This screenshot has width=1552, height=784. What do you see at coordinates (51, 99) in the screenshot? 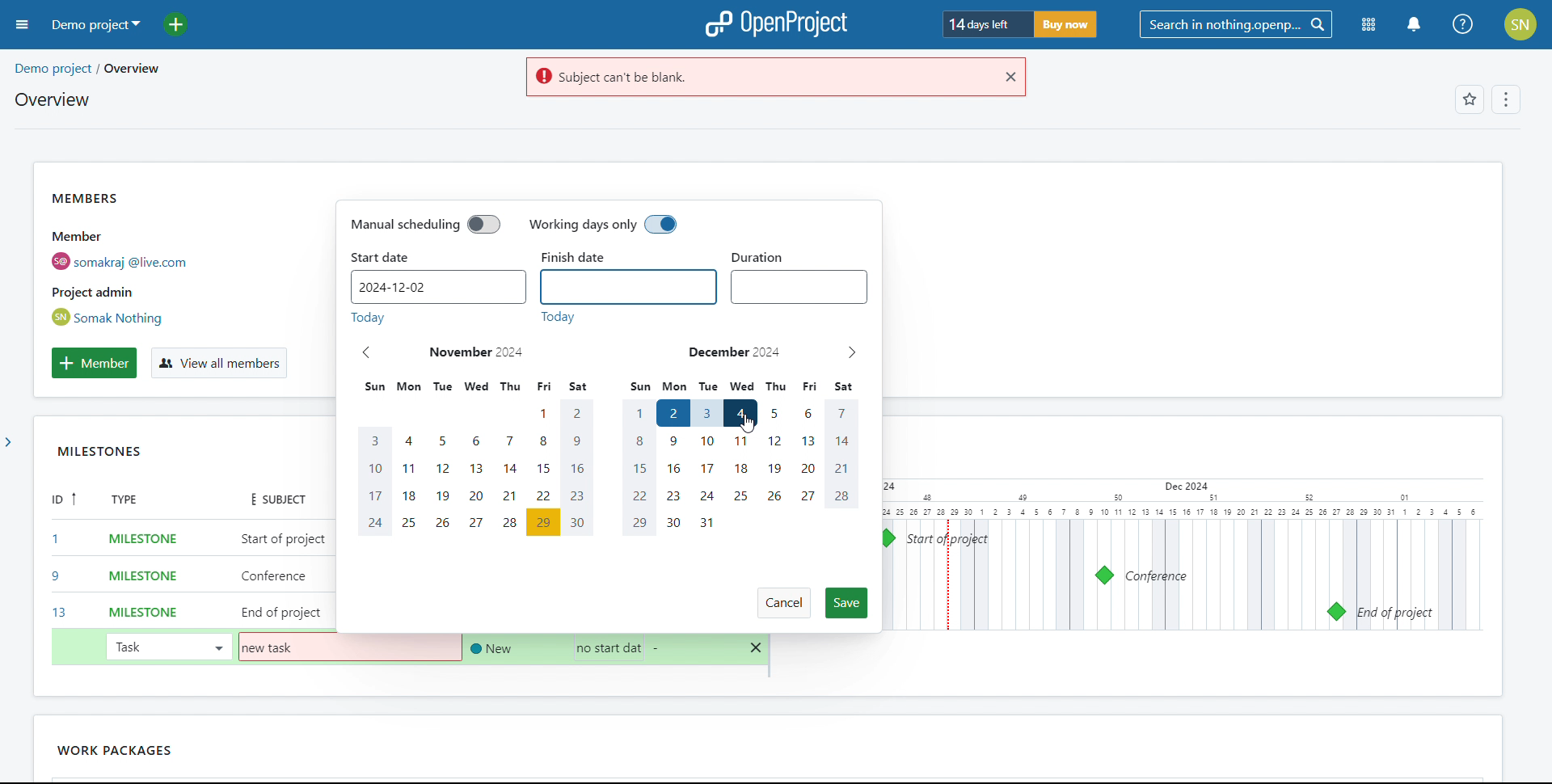
I see `overview` at bounding box center [51, 99].